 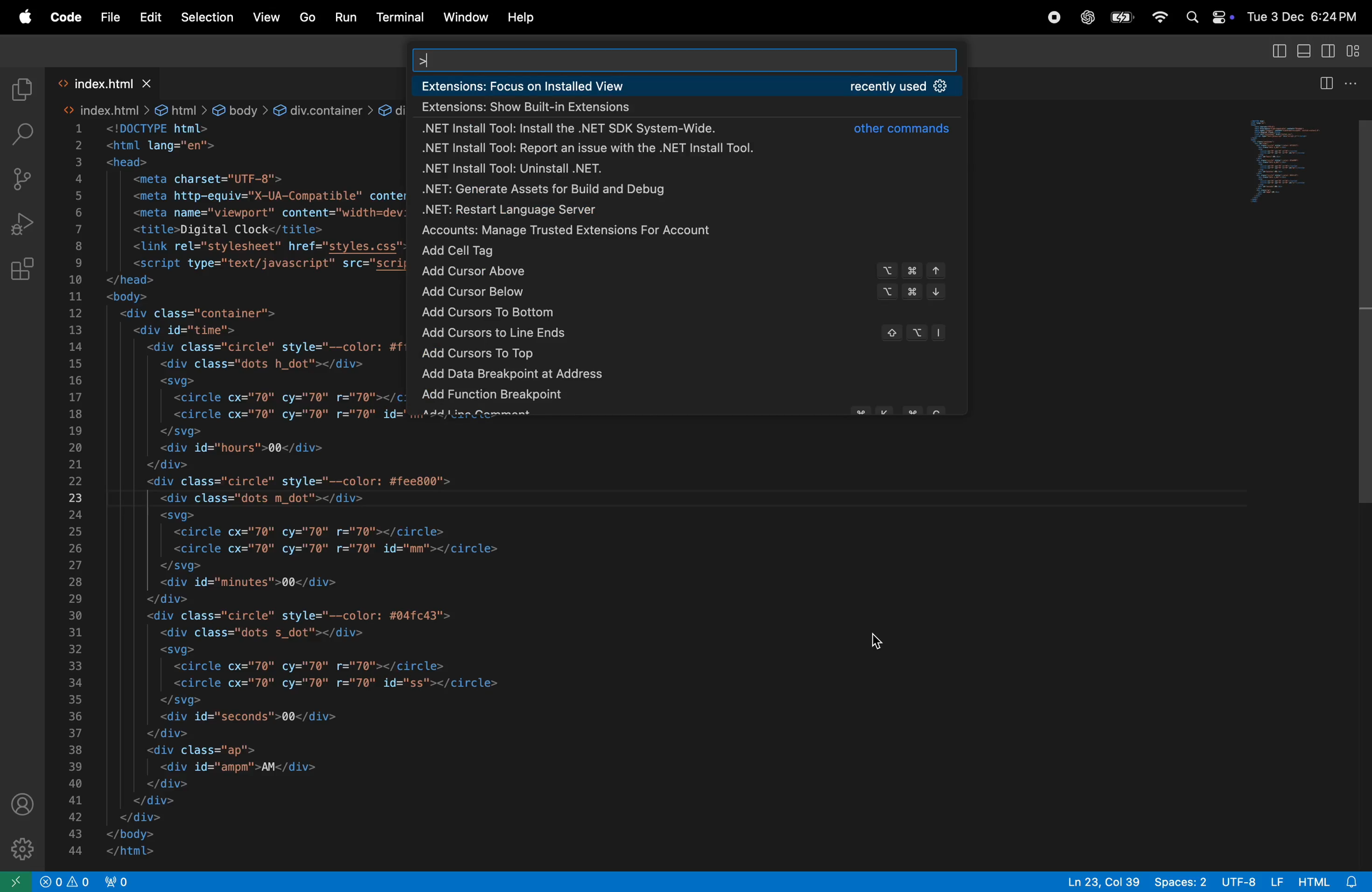 I want to click on window, so click(x=465, y=18).